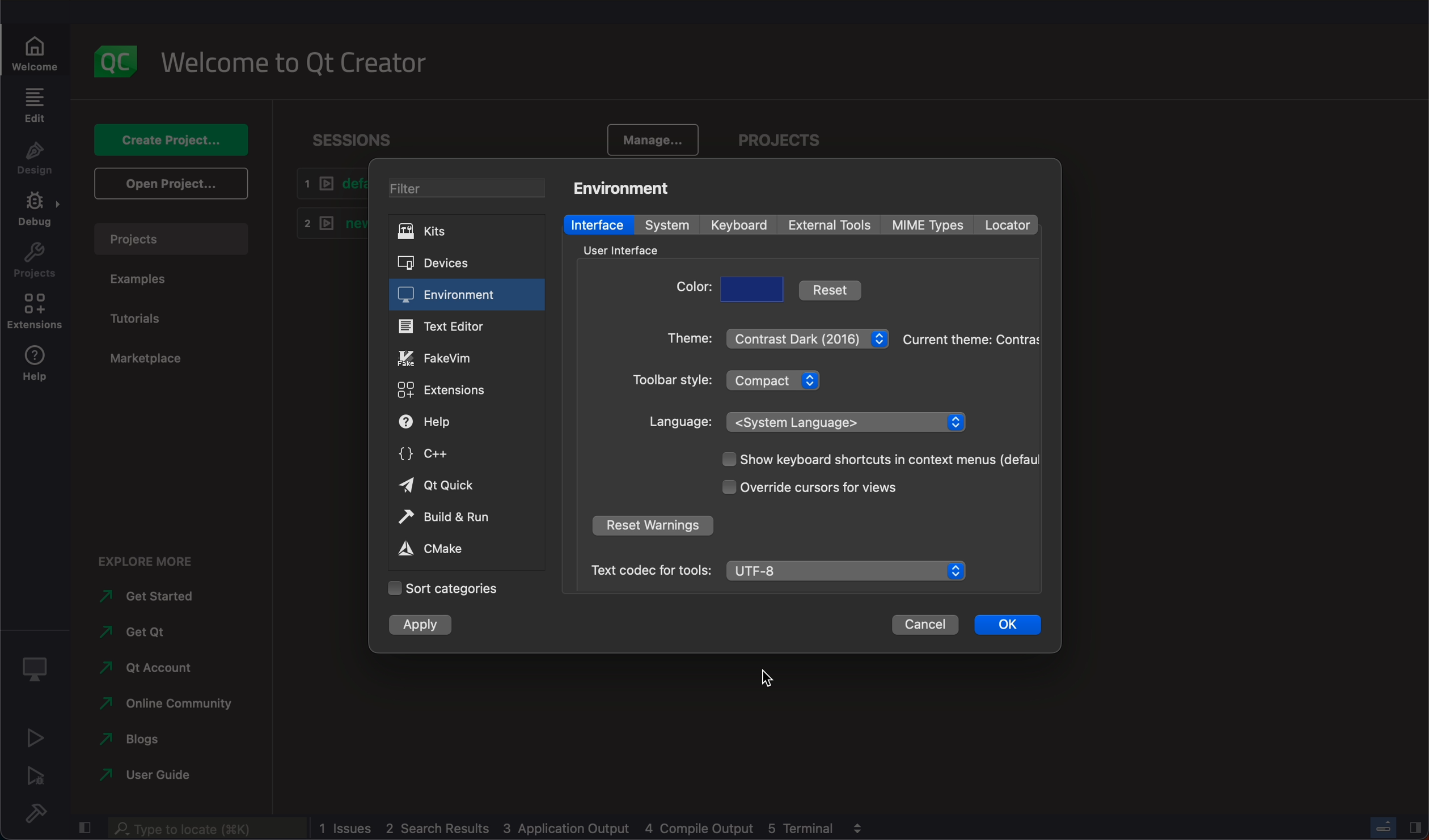 Image resolution: width=1429 pixels, height=840 pixels. I want to click on ok, so click(1008, 622).